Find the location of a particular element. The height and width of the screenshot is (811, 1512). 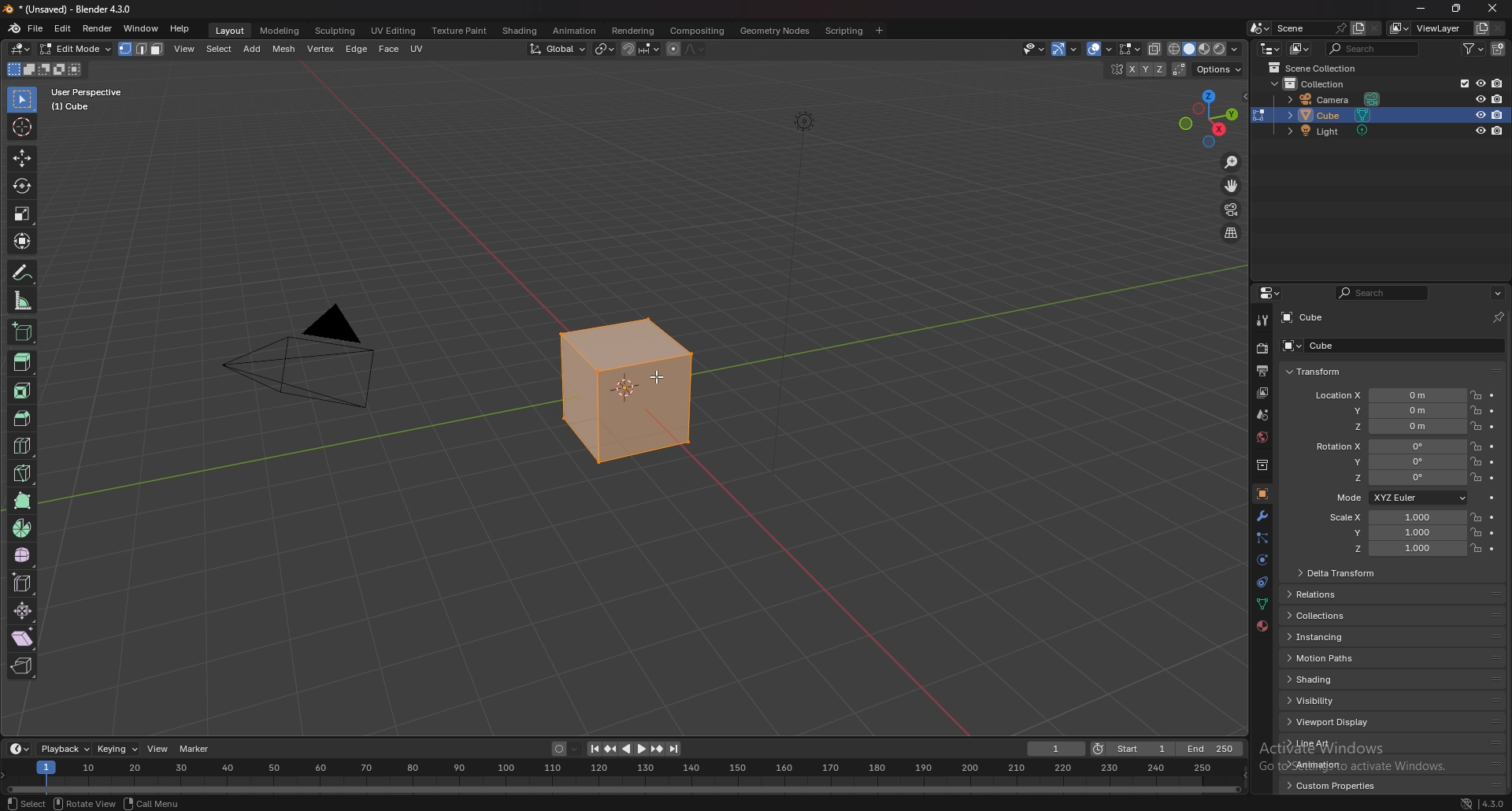

lock location is located at coordinates (1476, 547).